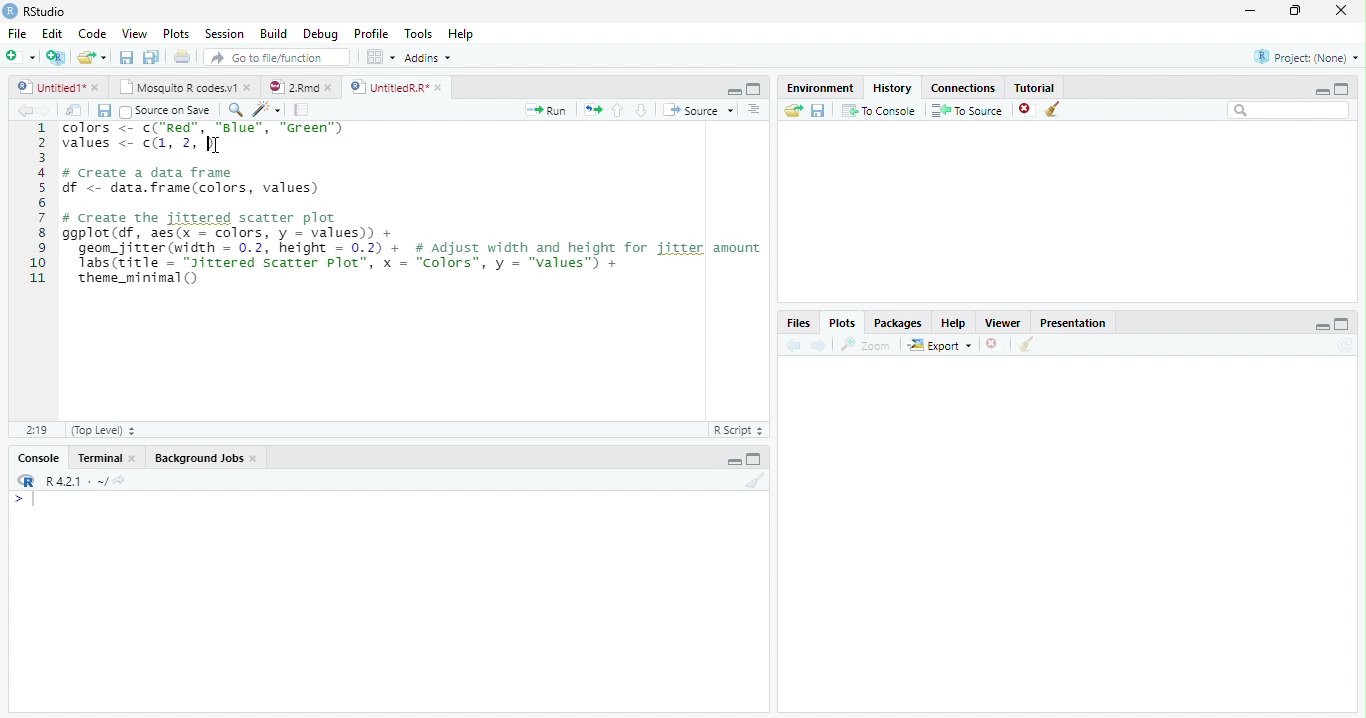 This screenshot has height=718, width=1366. What do you see at coordinates (641, 110) in the screenshot?
I see `Go to next section/chunk` at bounding box center [641, 110].